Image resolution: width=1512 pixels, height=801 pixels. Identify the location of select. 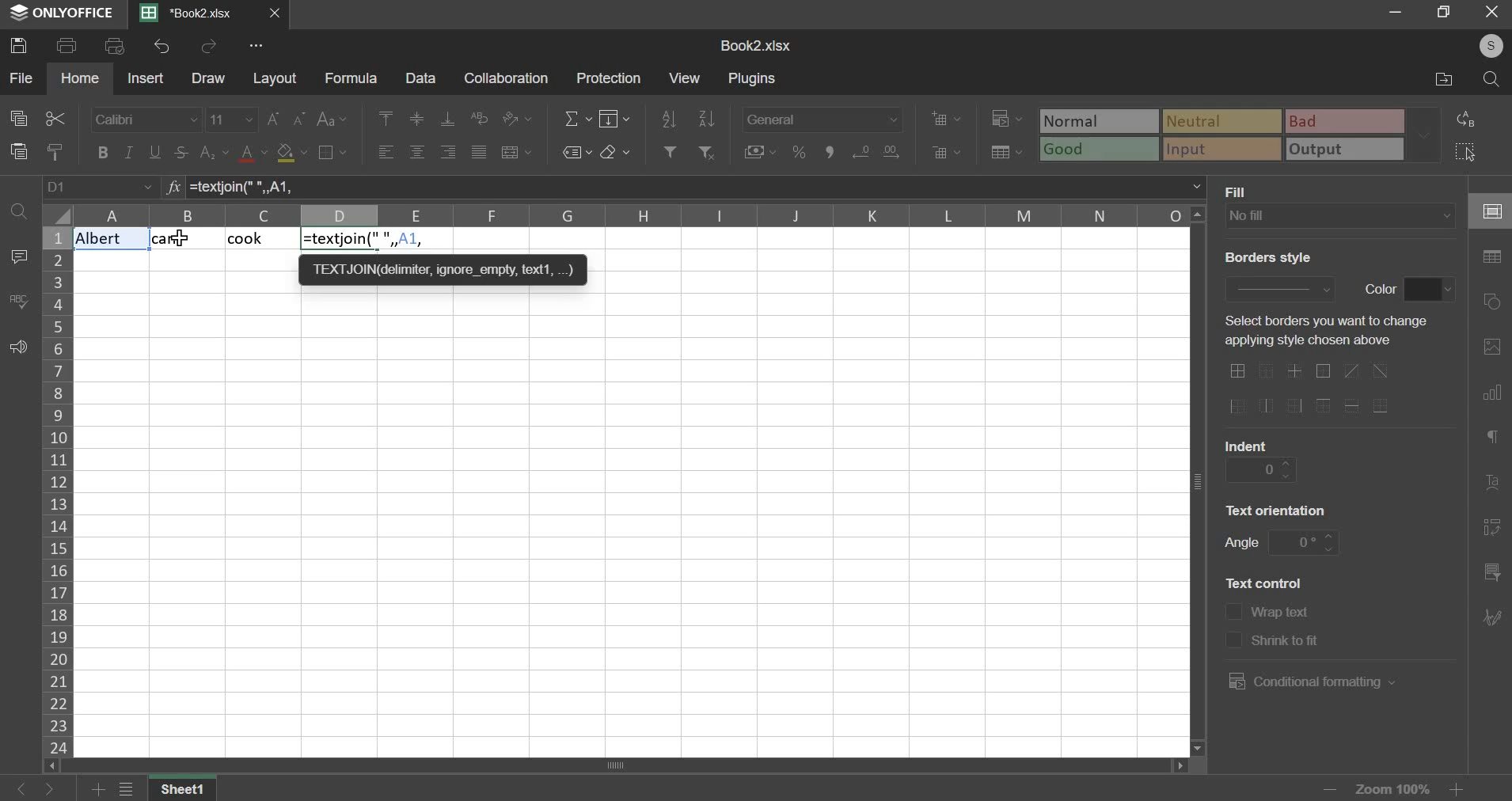
(1474, 152).